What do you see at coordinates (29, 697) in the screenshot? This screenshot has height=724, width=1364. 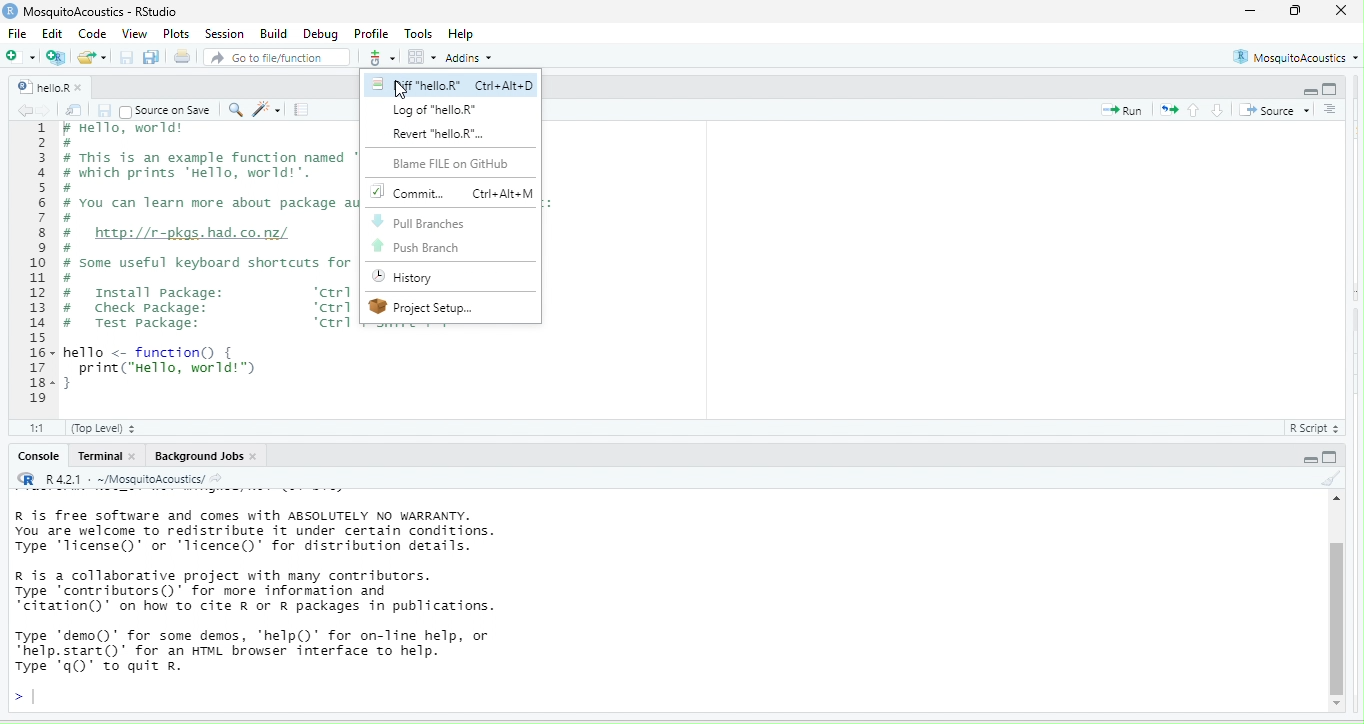 I see `typing cursor` at bounding box center [29, 697].